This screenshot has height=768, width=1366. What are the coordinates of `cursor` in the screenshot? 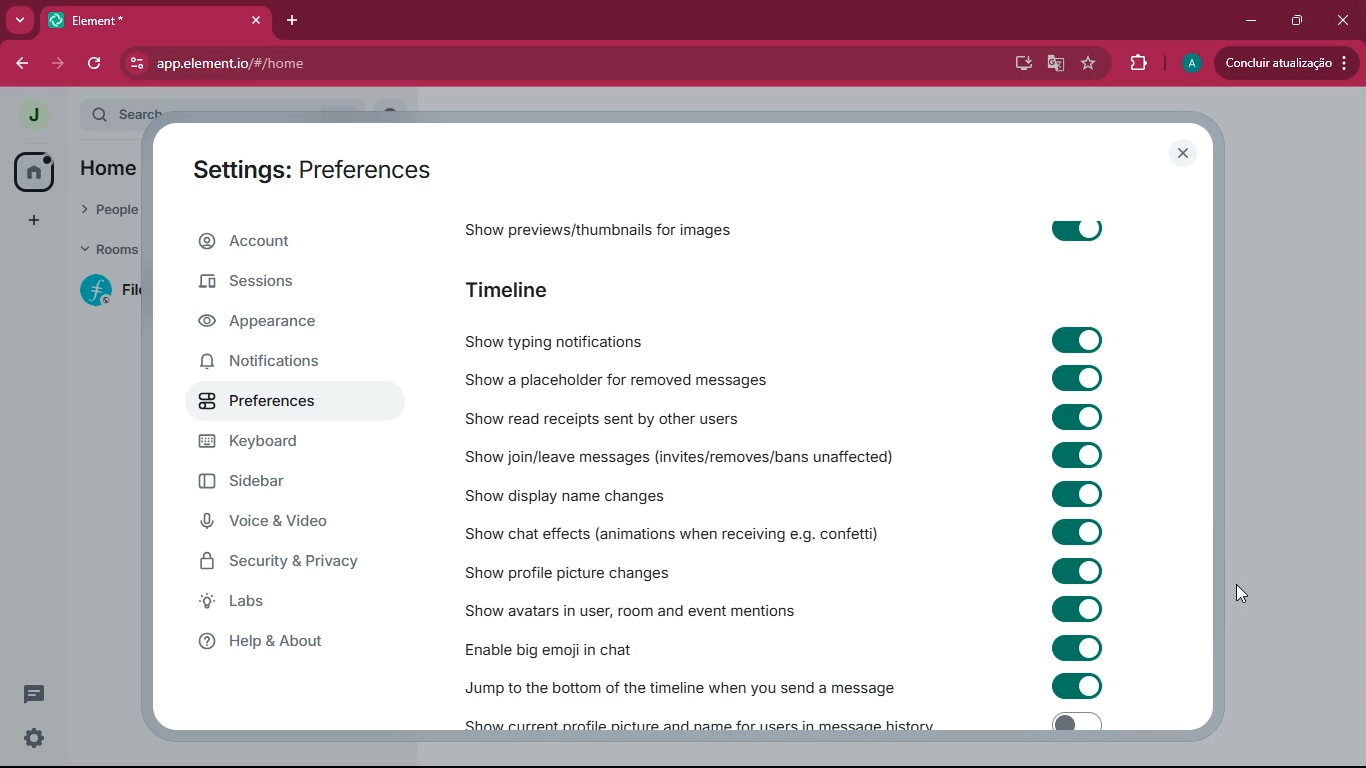 It's located at (1245, 595).